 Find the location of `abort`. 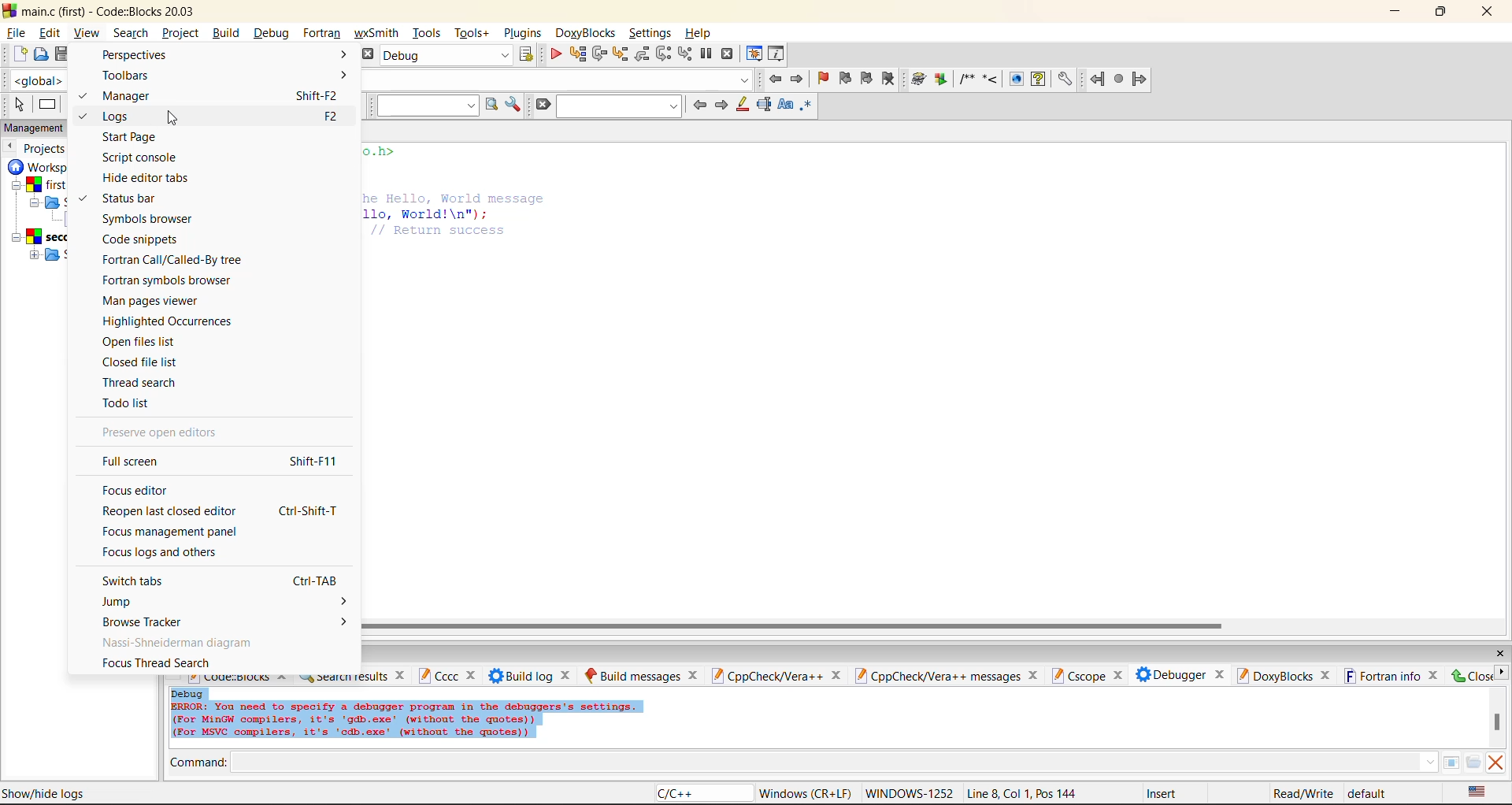

abort is located at coordinates (369, 54).